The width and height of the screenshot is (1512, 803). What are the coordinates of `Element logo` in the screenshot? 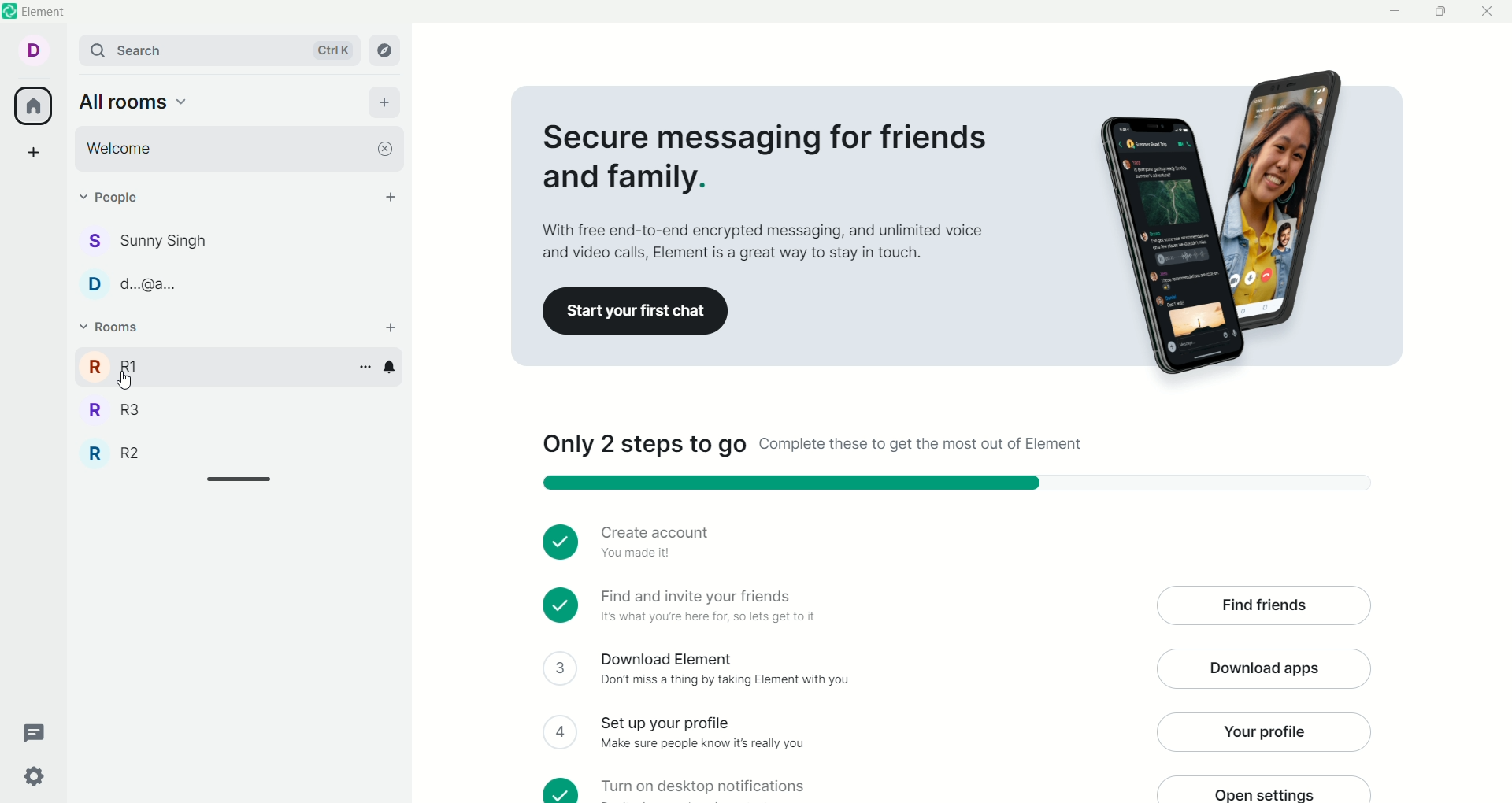 It's located at (10, 11).